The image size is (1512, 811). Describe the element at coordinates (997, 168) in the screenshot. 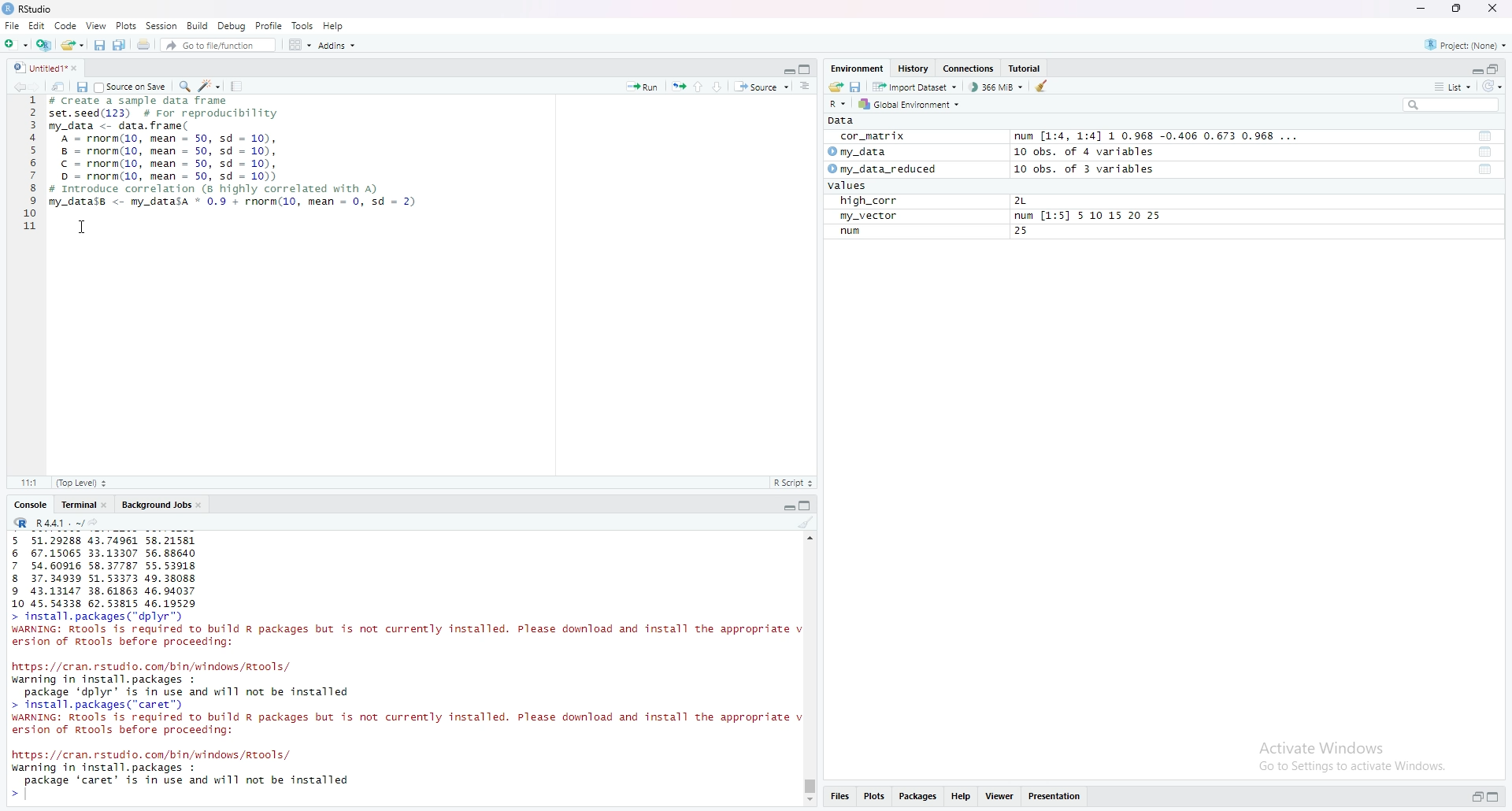

I see `my_data_reduced 10 obs. of 3 variables` at that location.